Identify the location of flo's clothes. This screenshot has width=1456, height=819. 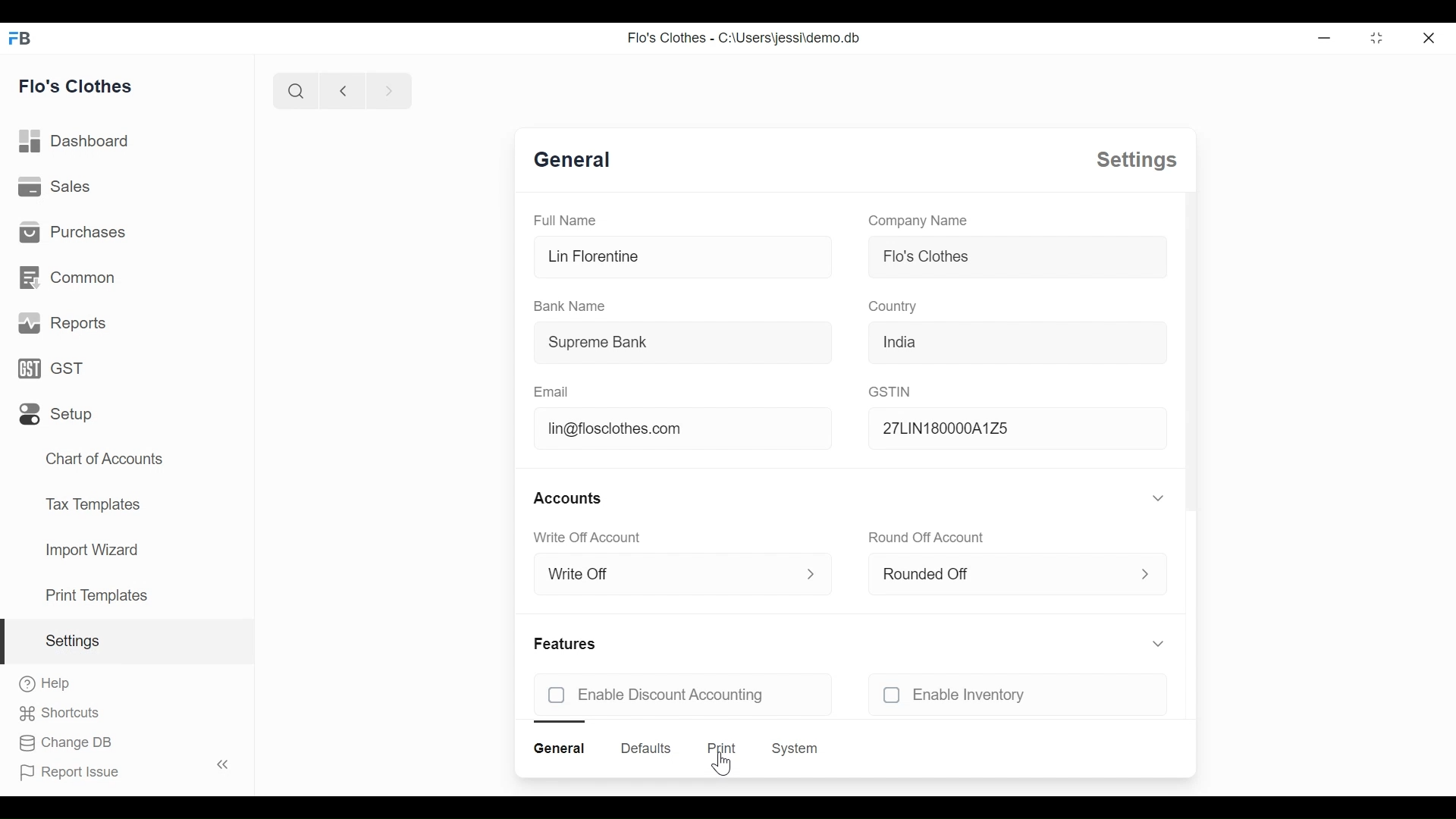
(1018, 256).